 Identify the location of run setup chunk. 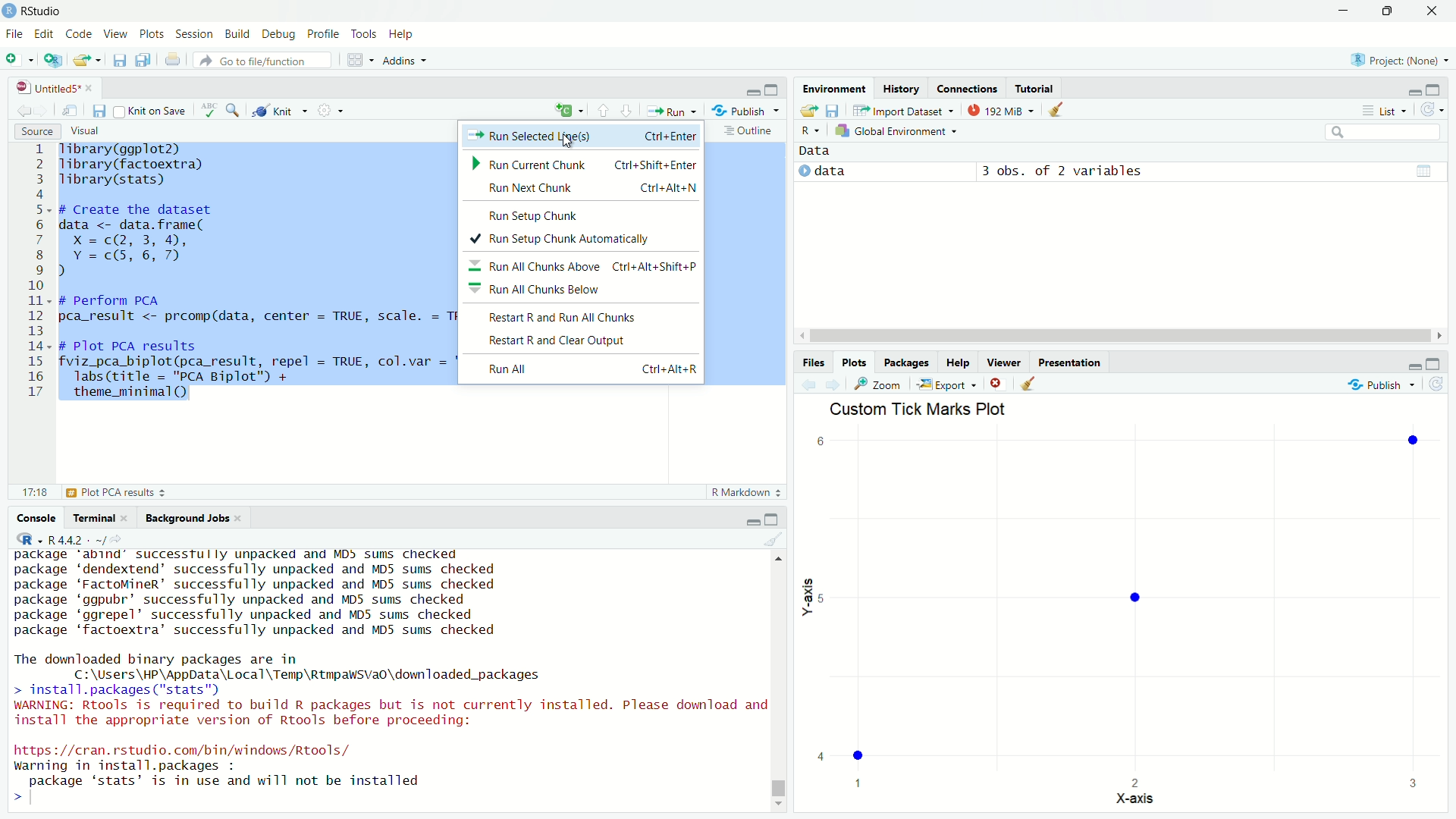
(584, 216).